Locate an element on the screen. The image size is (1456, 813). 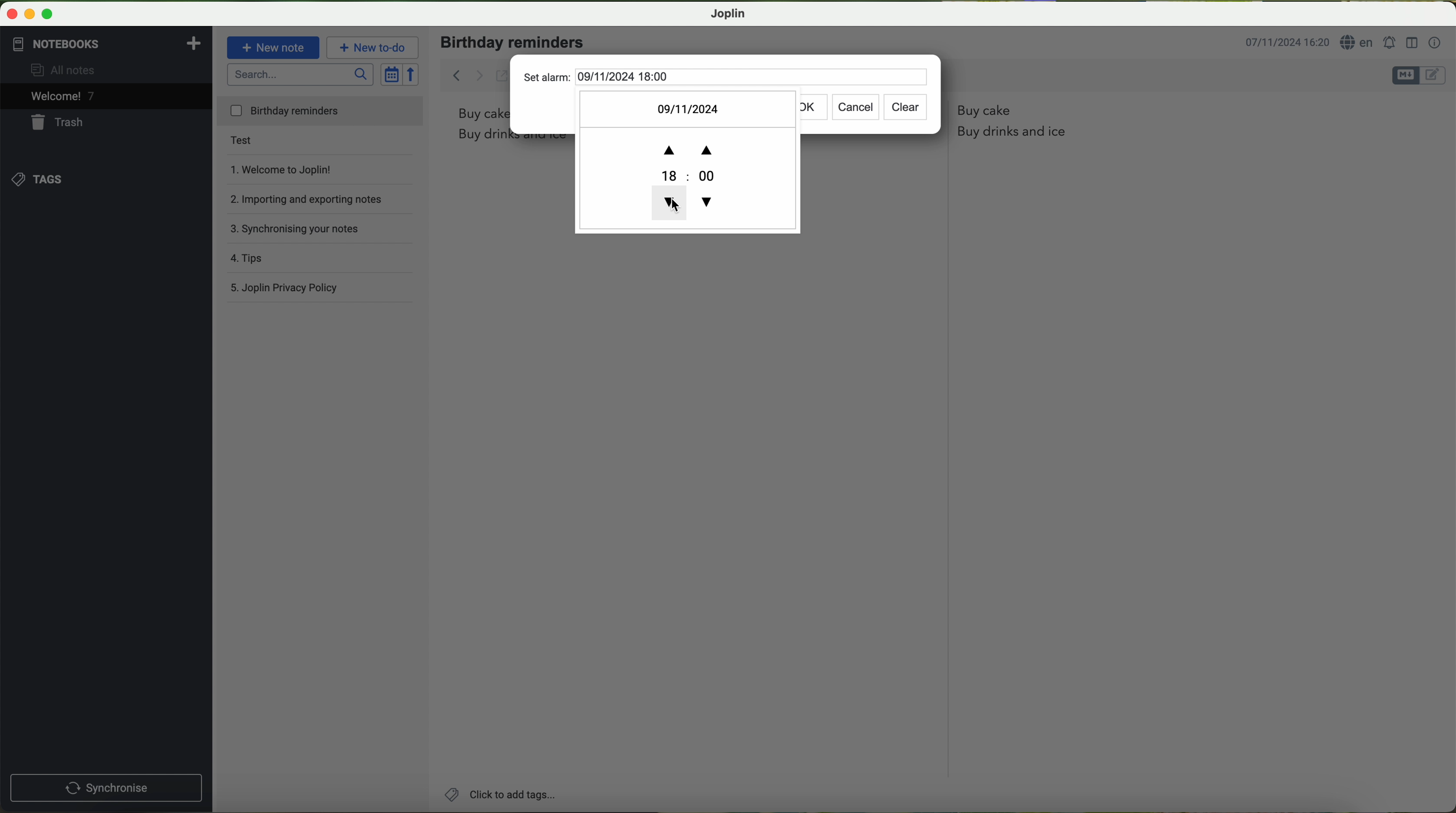
tags is located at coordinates (42, 178).